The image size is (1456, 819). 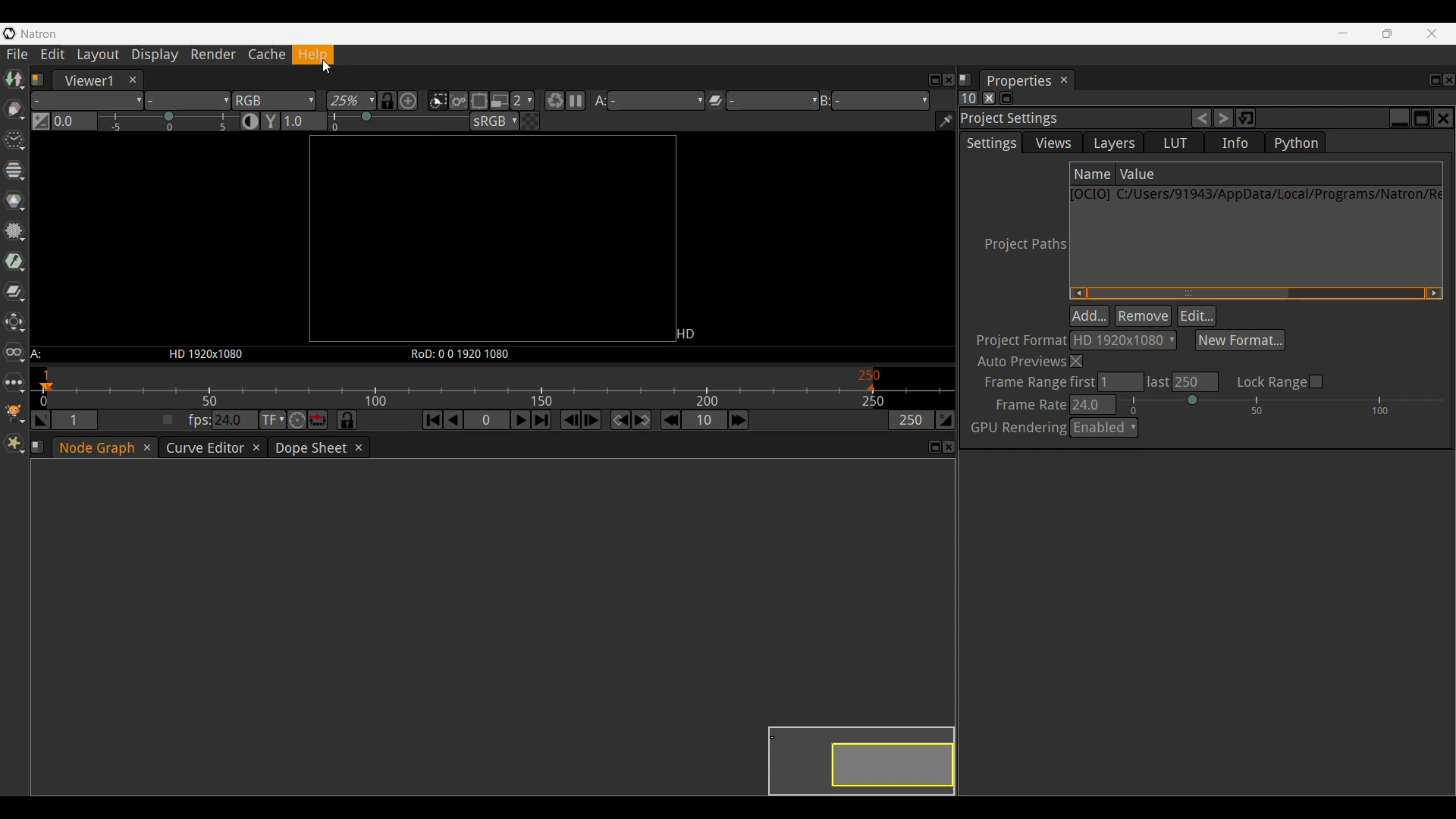 I want to click on Viewer input A, so click(x=648, y=100).